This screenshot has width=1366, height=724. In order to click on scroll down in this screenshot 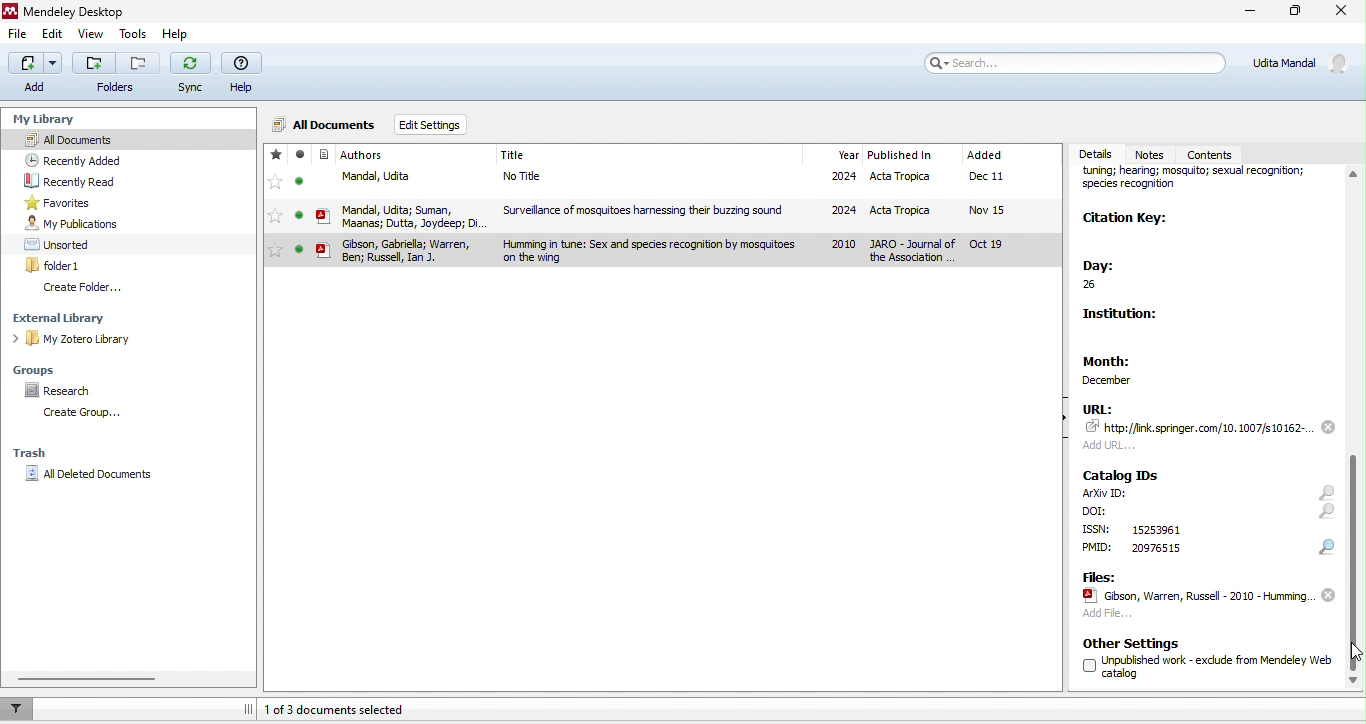, I will do `click(1357, 428)`.